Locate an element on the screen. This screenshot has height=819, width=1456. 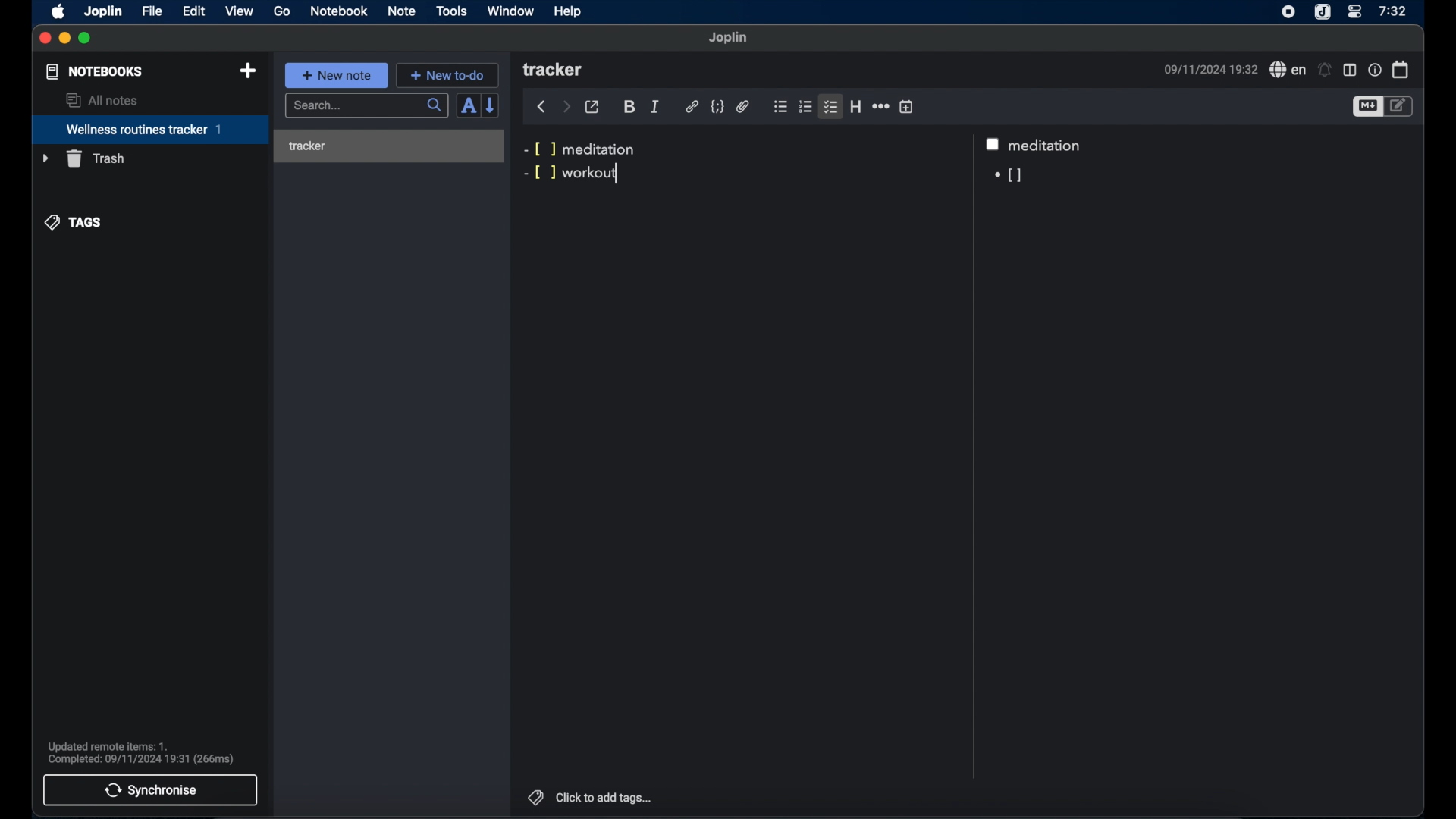
note is located at coordinates (402, 12).